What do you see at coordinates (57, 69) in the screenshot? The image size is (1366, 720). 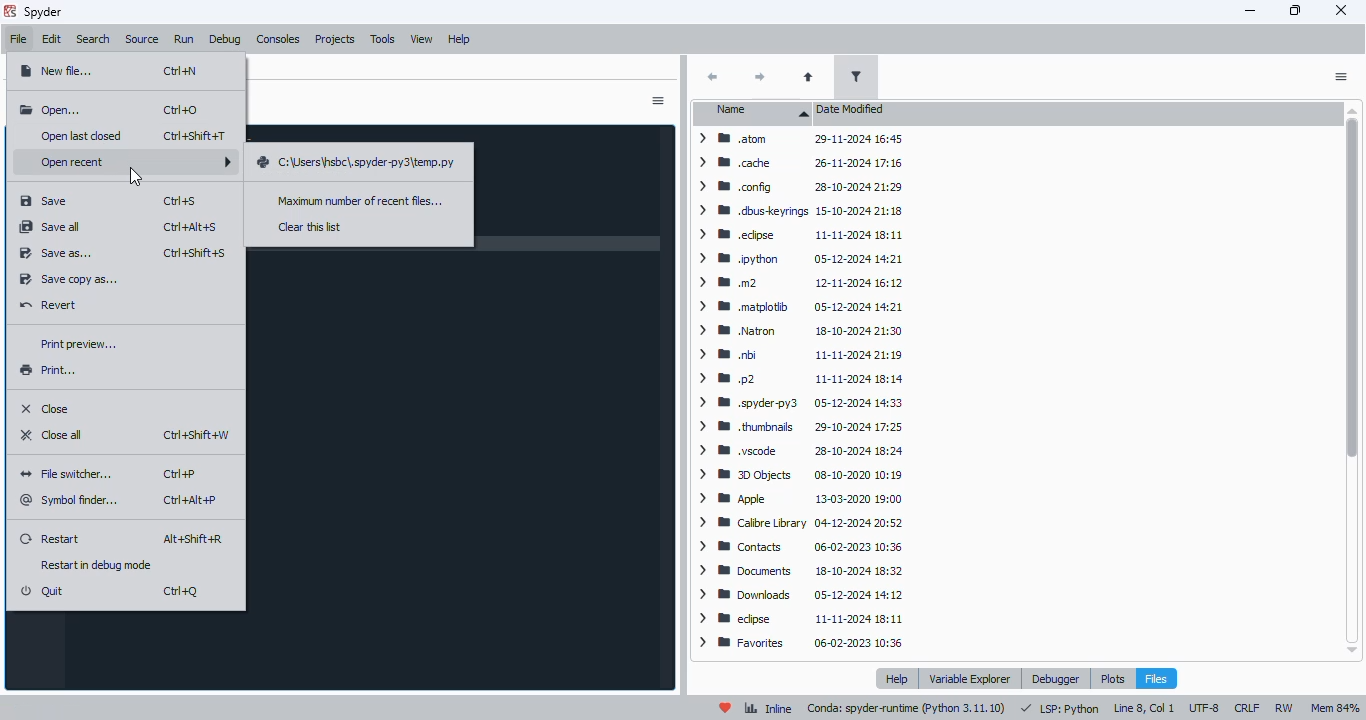 I see `new file` at bounding box center [57, 69].